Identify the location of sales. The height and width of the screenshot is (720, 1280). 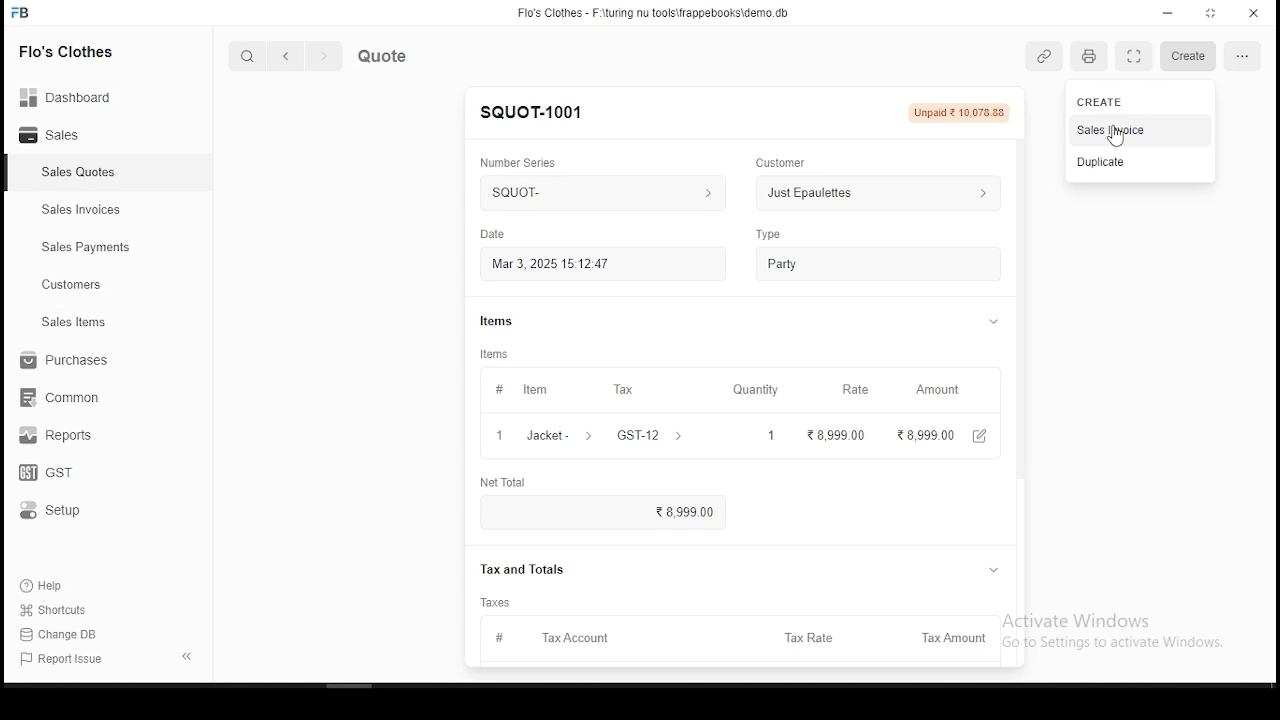
(75, 172).